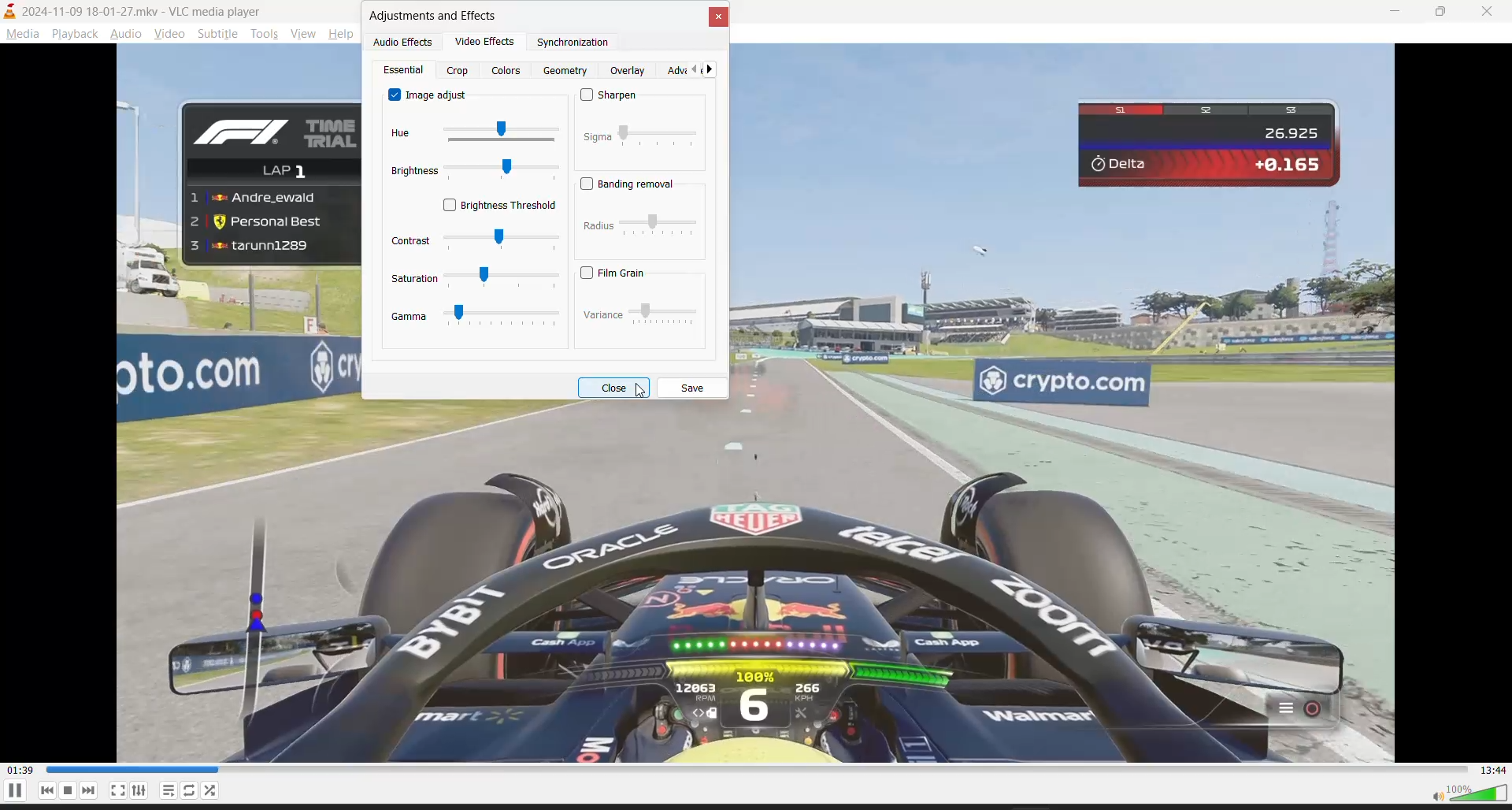  I want to click on geometry, so click(567, 70).